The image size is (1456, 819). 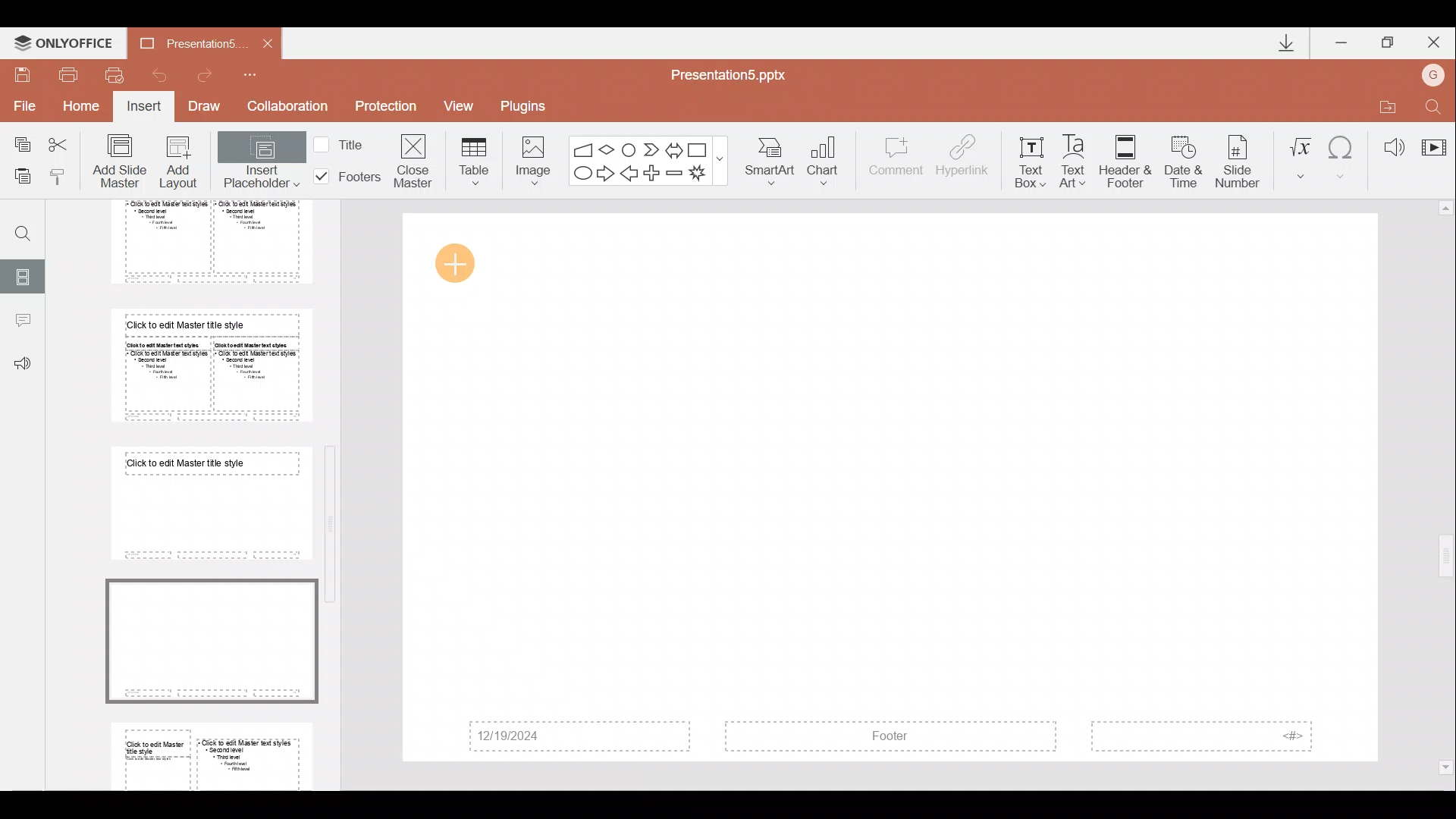 What do you see at coordinates (472, 160) in the screenshot?
I see `Table` at bounding box center [472, 160].